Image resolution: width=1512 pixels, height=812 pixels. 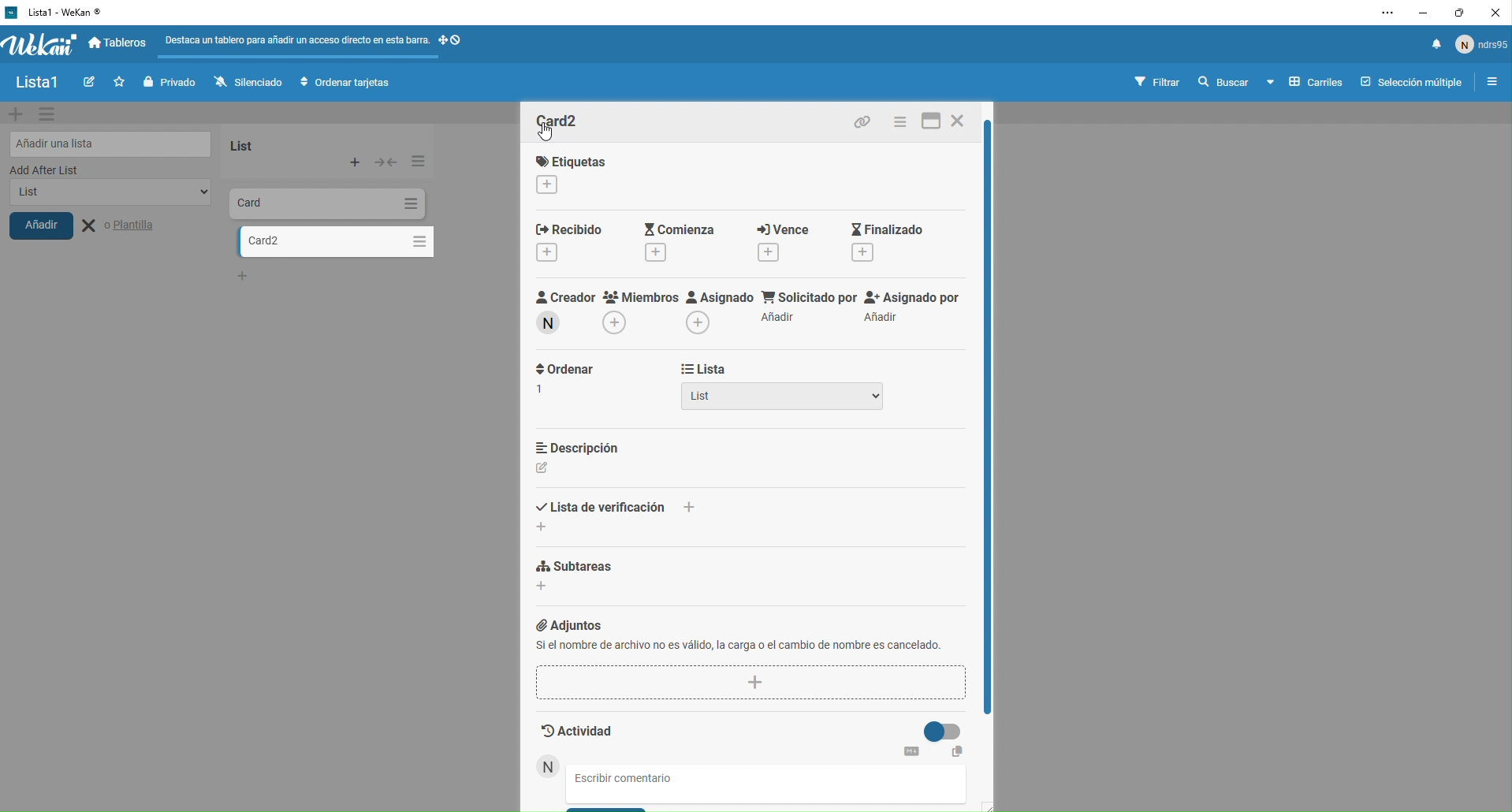 I want to click on Add, so click(x=356, y=162).